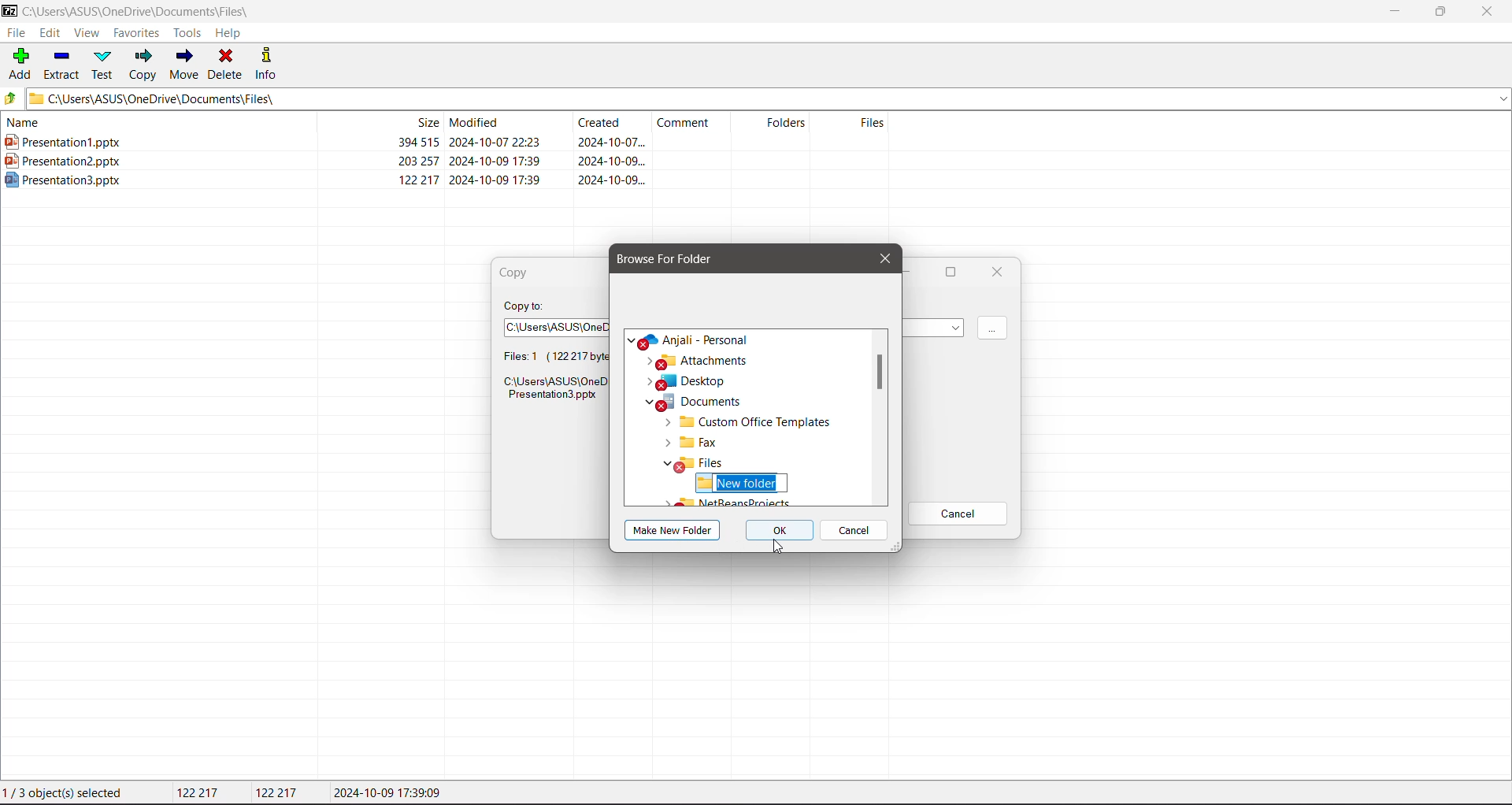  Describe the element at coordinates (1394, 12) in the screenshot. I see `Minimize` at that location.